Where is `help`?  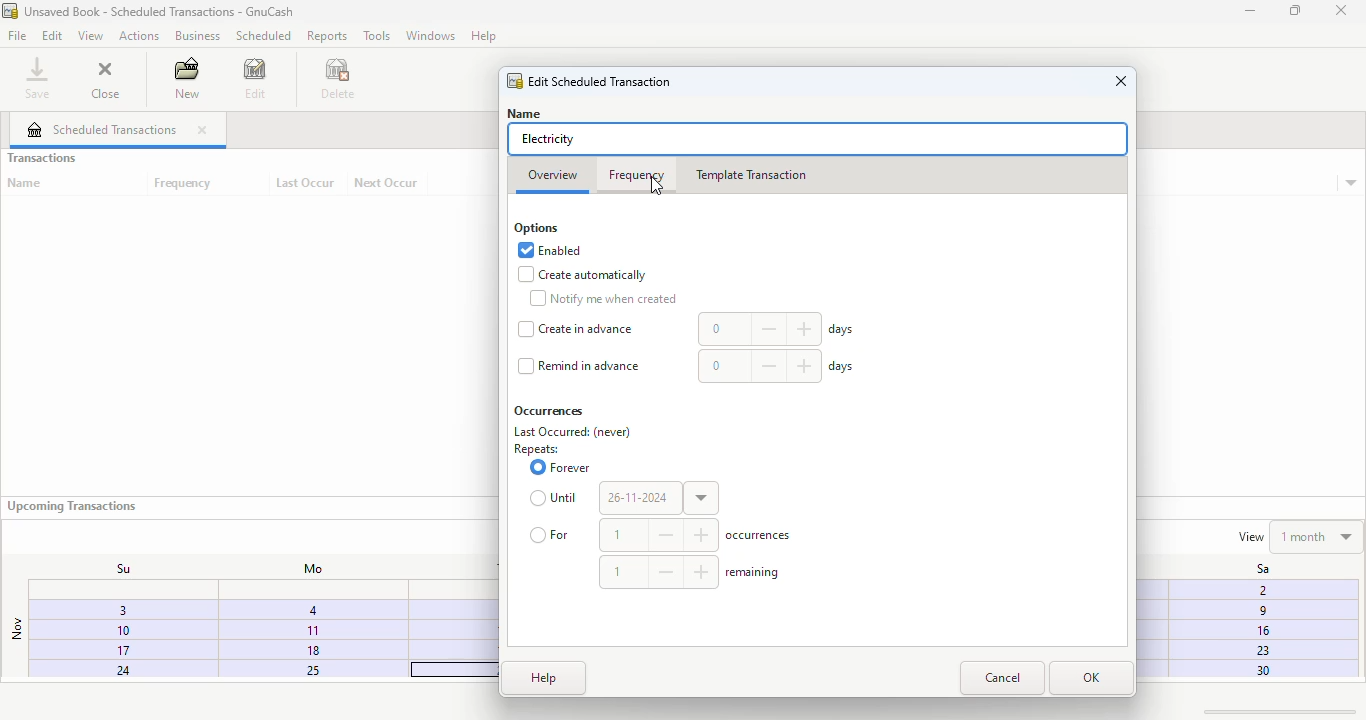 help is located at coordinates (544, 678).